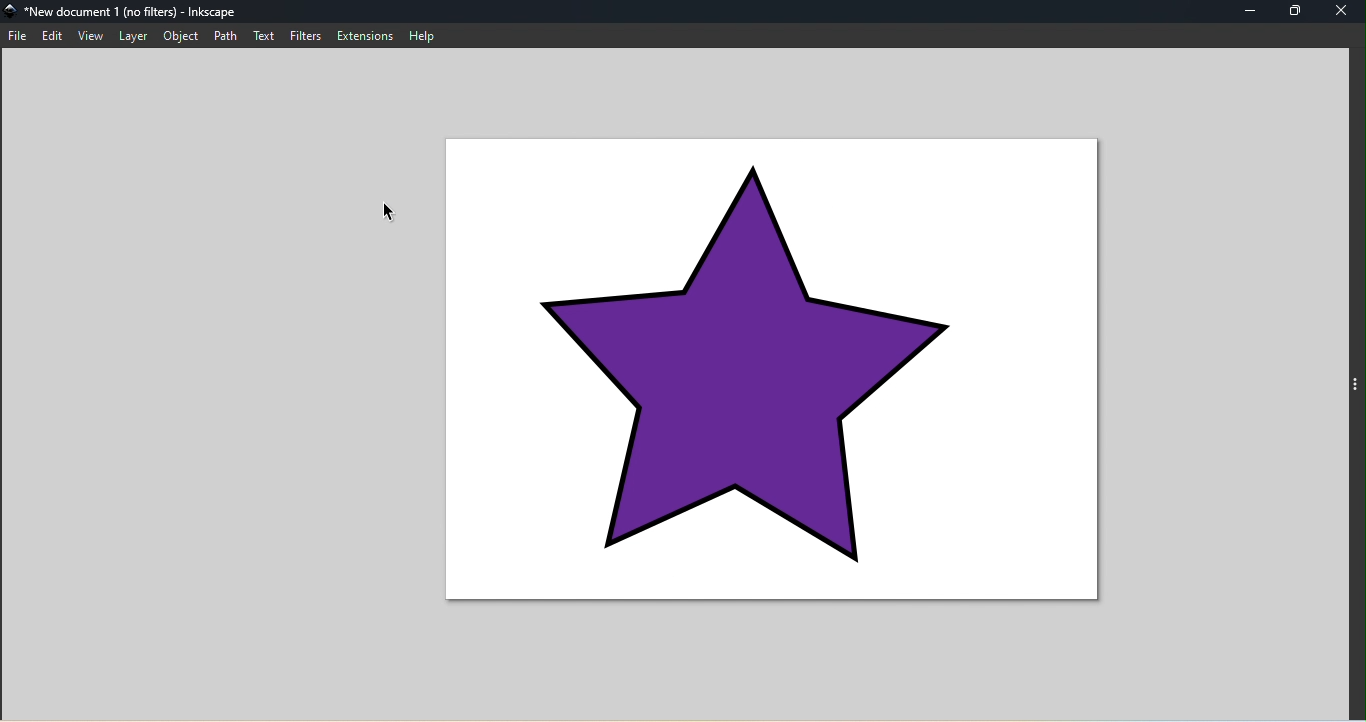  I want to click on File name, so click(119, 12).